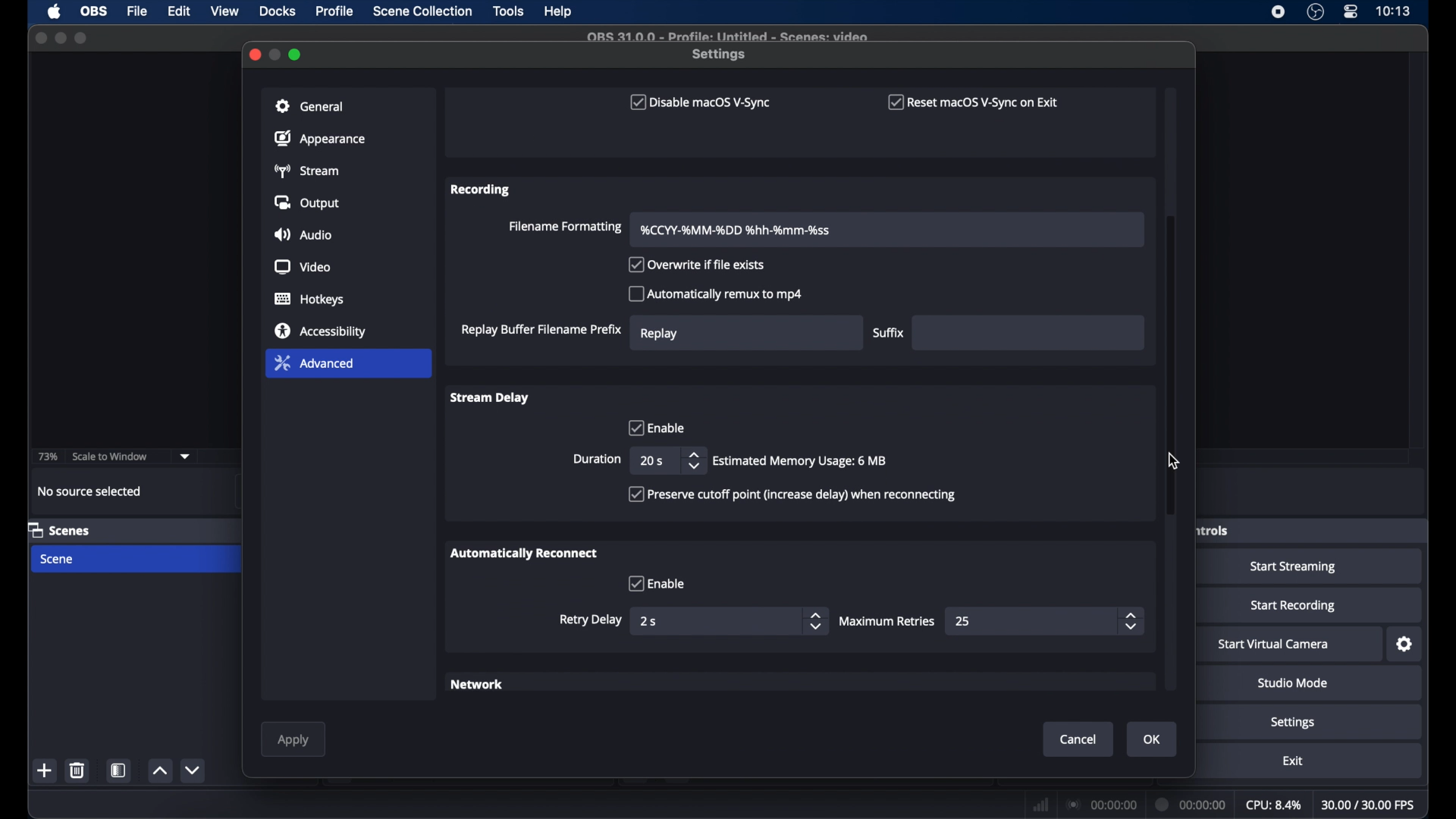 The height and width of the screenshot is (819, 1456). What do you see at coordinates (597, 460) in the screenshot?
I see `duration` at bounding box center [597, 460].